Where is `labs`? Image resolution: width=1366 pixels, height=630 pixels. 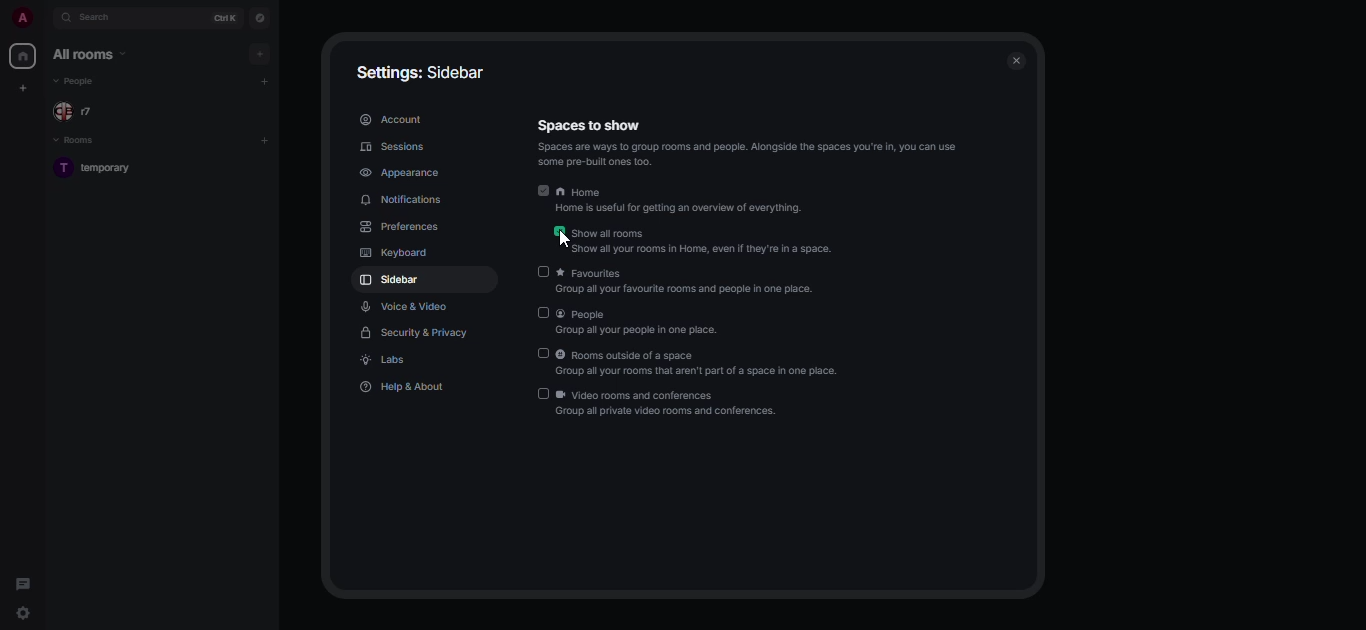
labs is located at coordinates (387, 360).